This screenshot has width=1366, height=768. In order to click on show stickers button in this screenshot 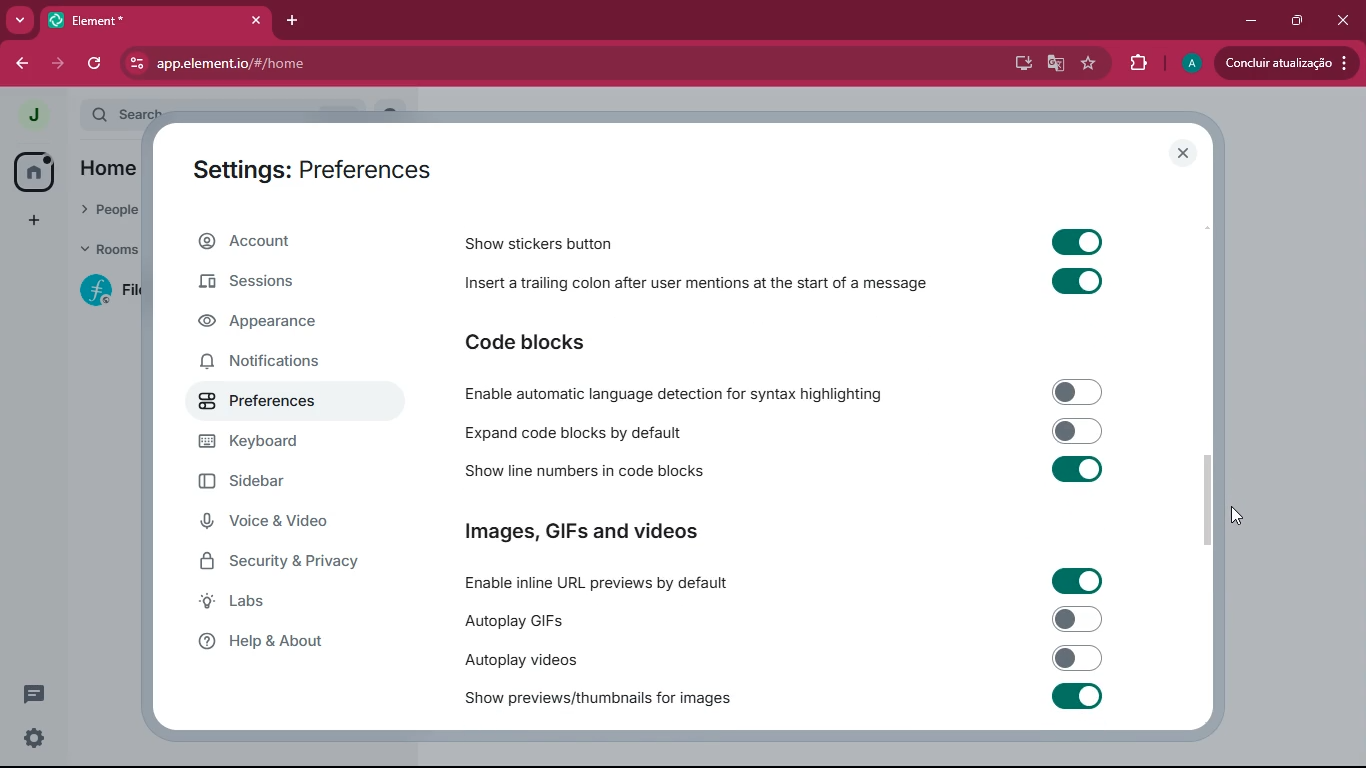, I will do `click(541, 243)`.